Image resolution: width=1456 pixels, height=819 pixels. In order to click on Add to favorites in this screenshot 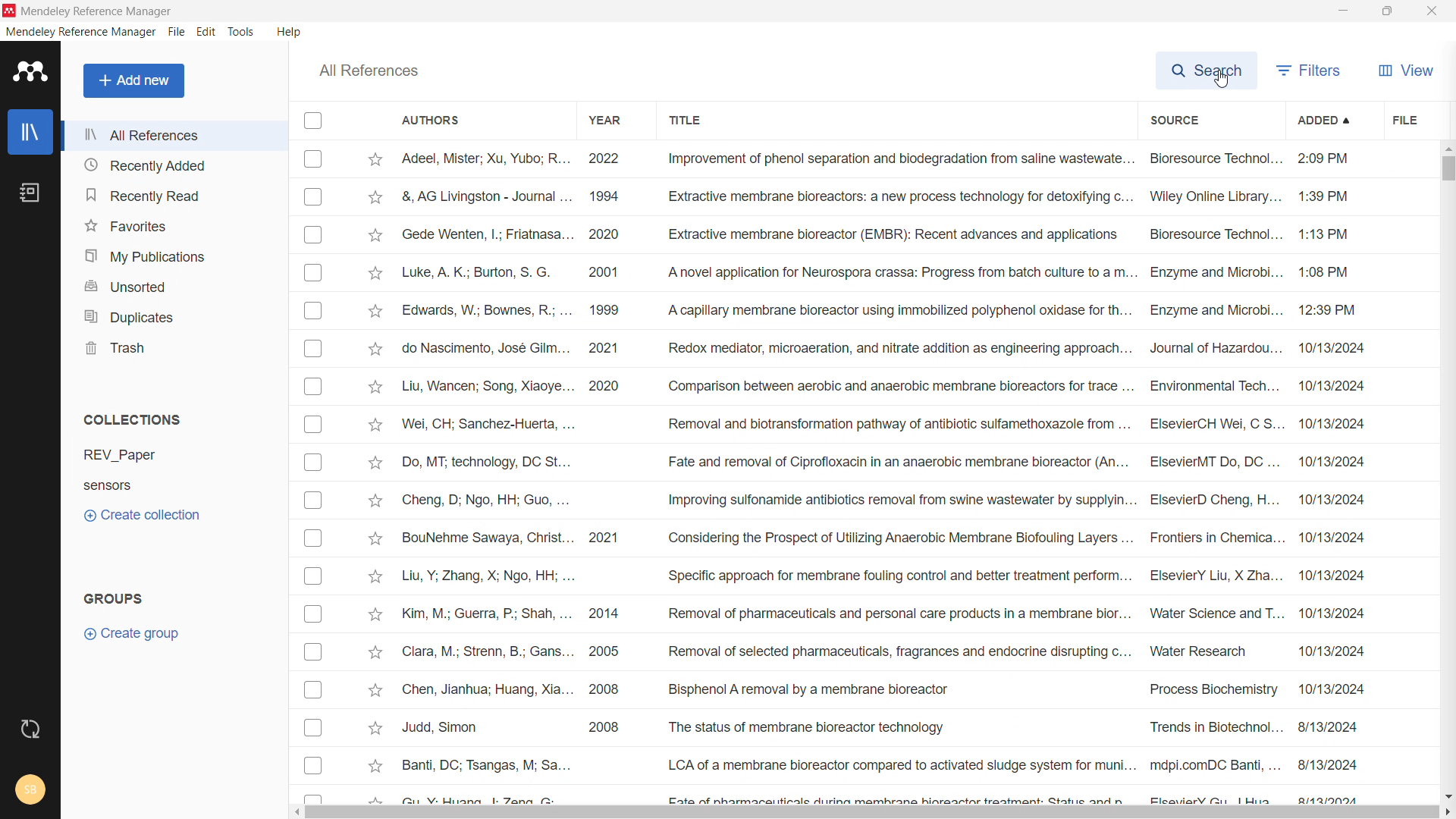, I will do `click(374, 728)`.